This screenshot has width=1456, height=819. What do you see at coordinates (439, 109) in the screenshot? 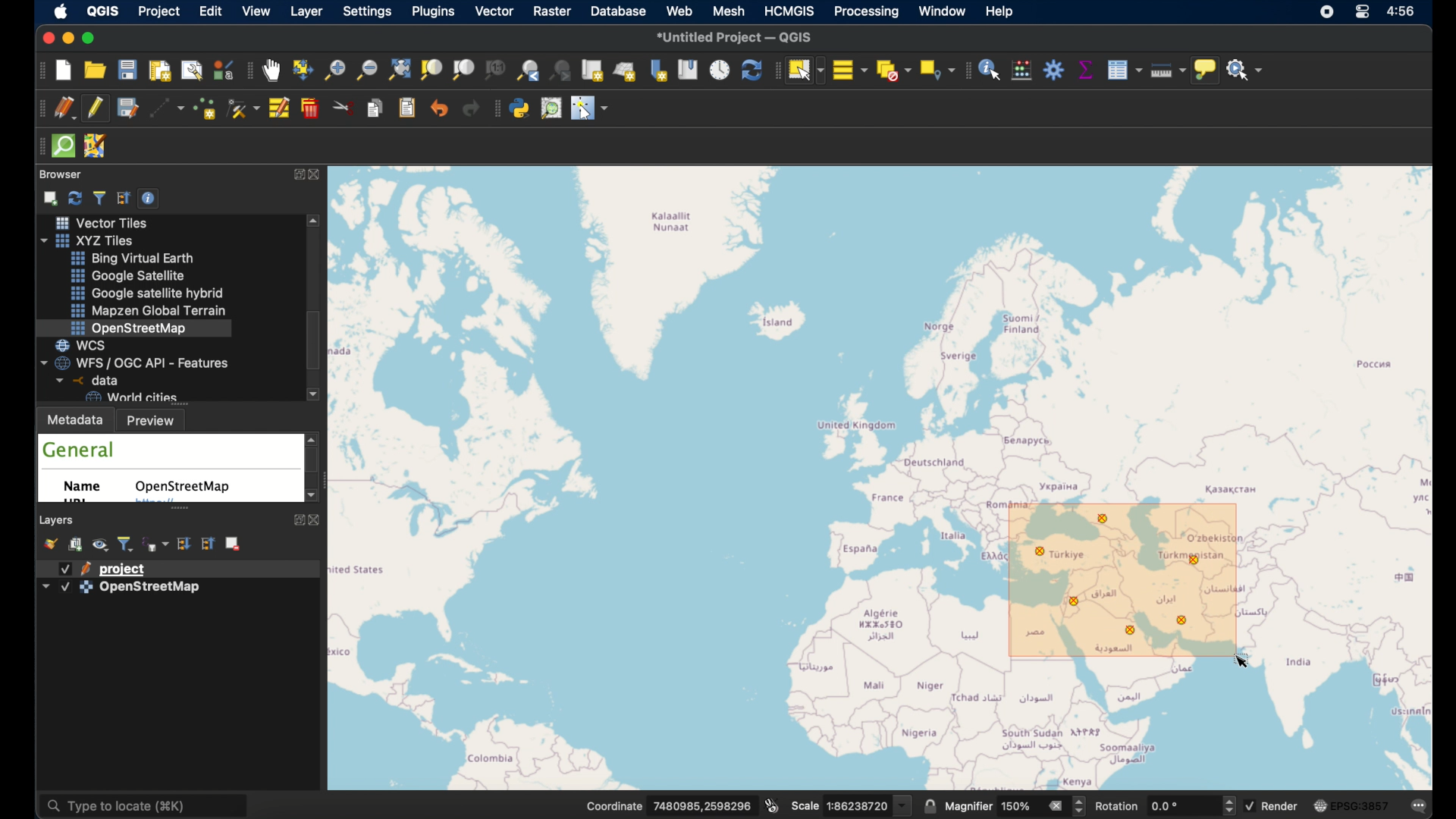
I see `undo` at bounding box center [439, 109].